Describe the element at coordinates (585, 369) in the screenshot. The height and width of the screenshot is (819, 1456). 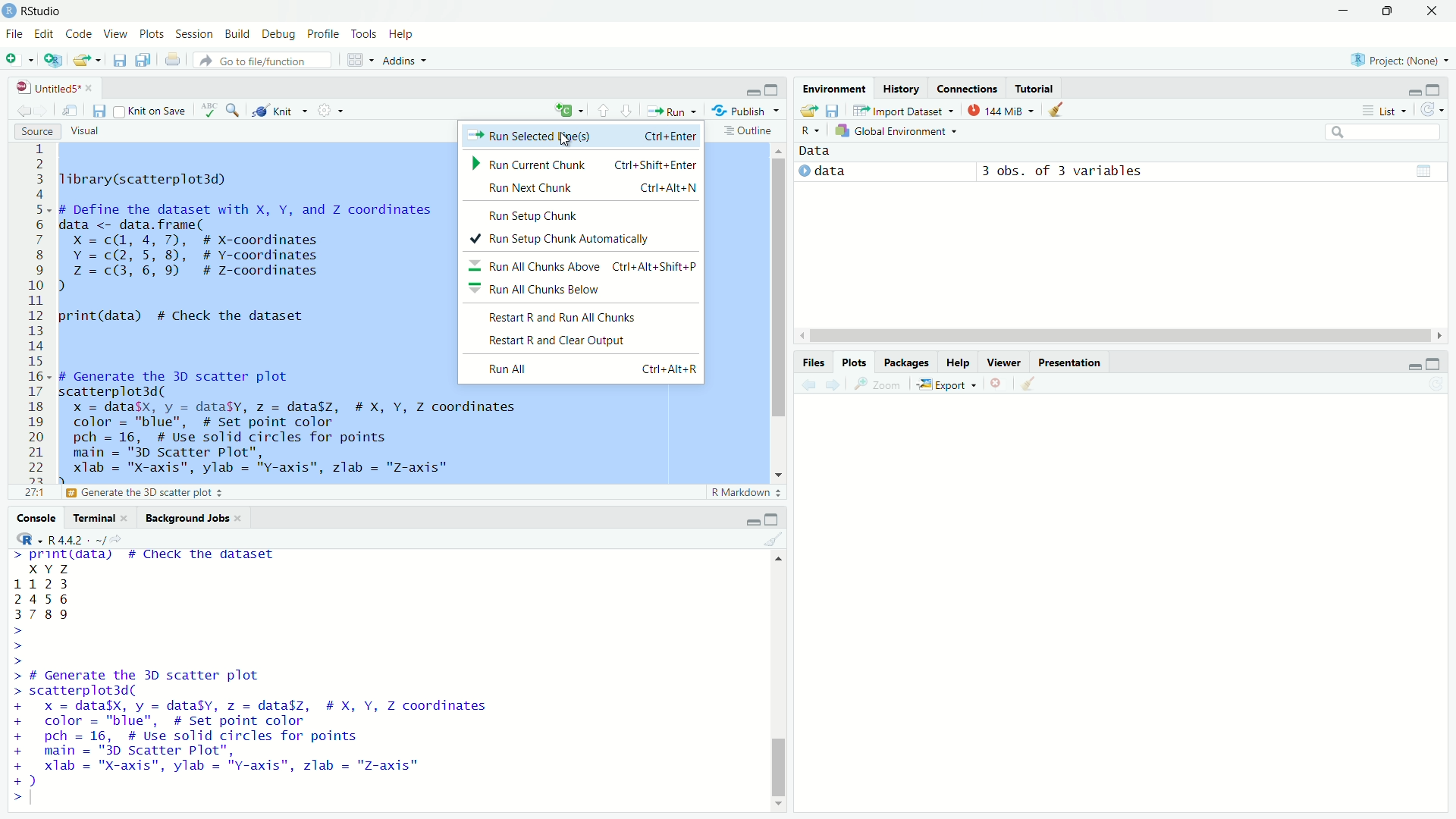
I see `Run All` at that location.